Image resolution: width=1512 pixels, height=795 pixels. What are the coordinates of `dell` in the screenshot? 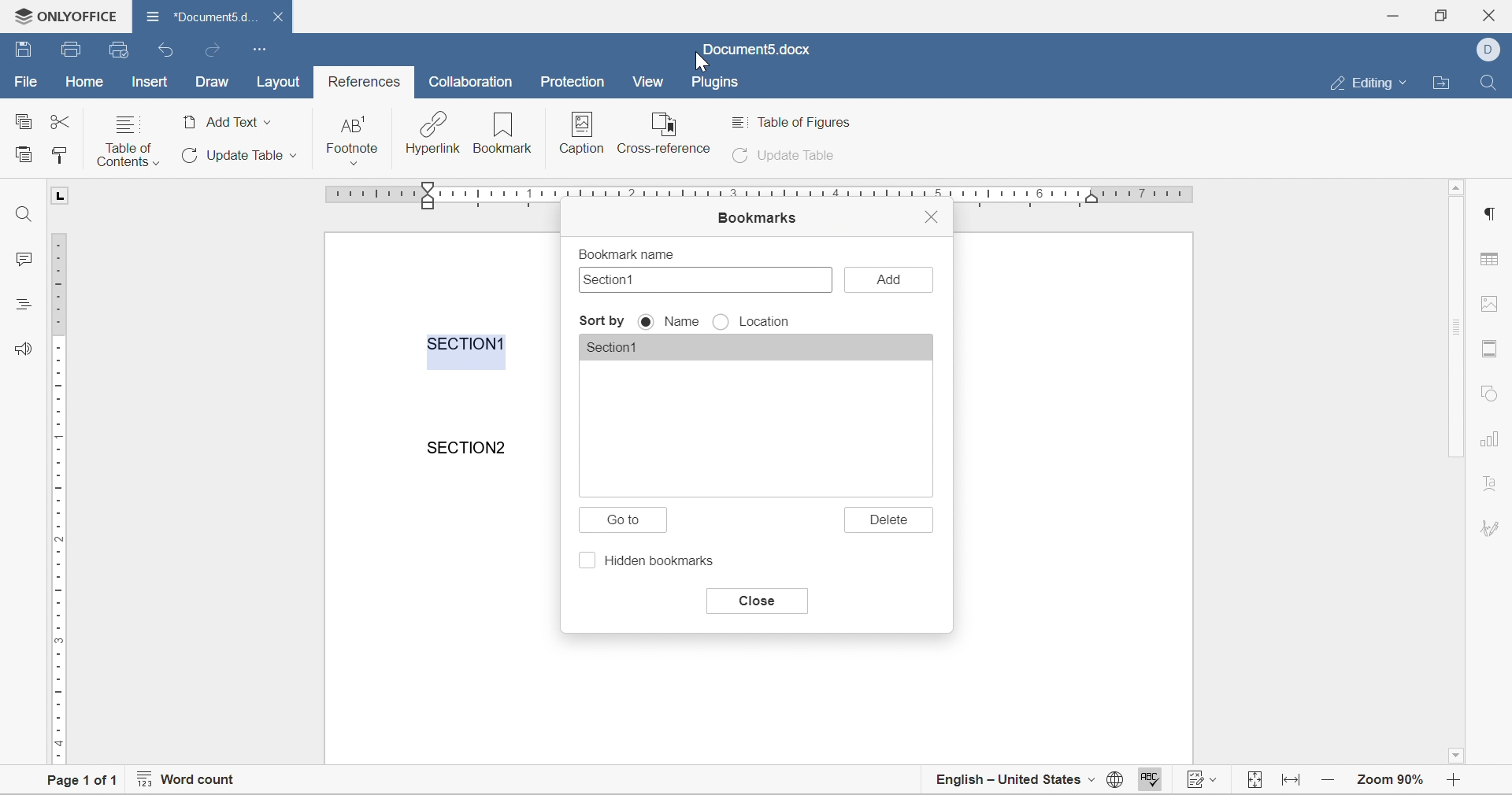 It's located at (1492, 48).